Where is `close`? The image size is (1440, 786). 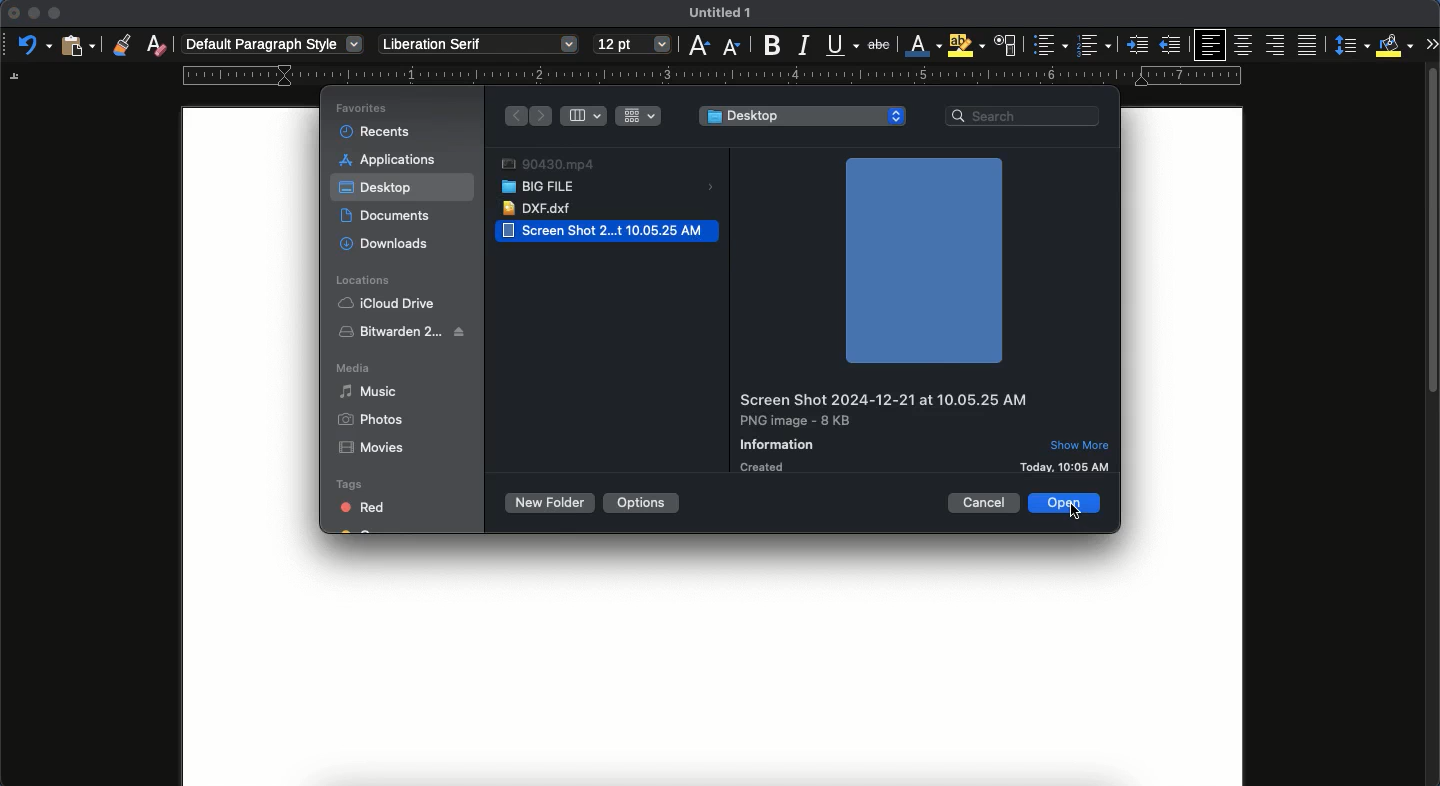
close is located at coordinates (11, 12).